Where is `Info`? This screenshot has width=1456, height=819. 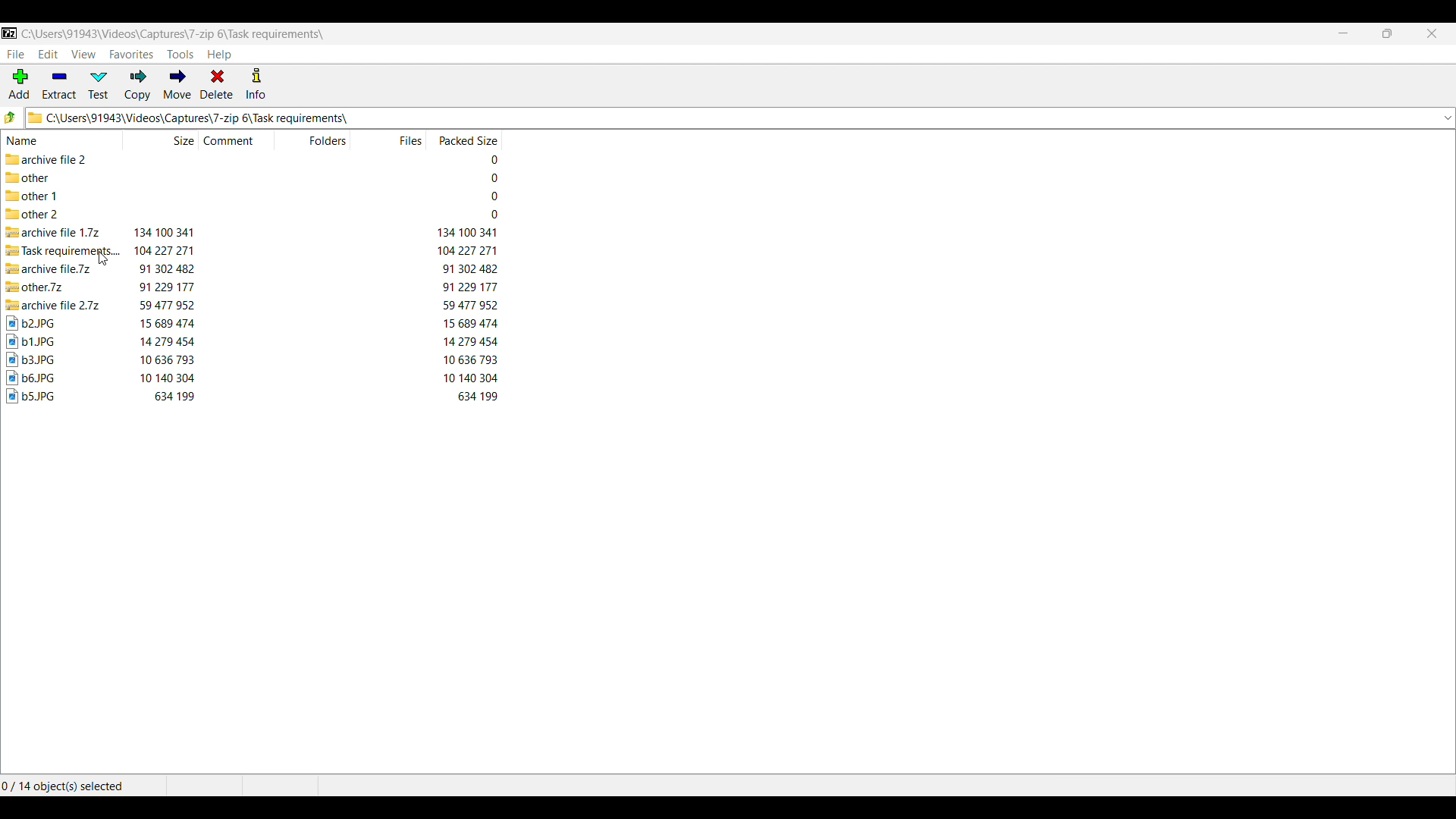
Info is located at coordinates (256, 83).